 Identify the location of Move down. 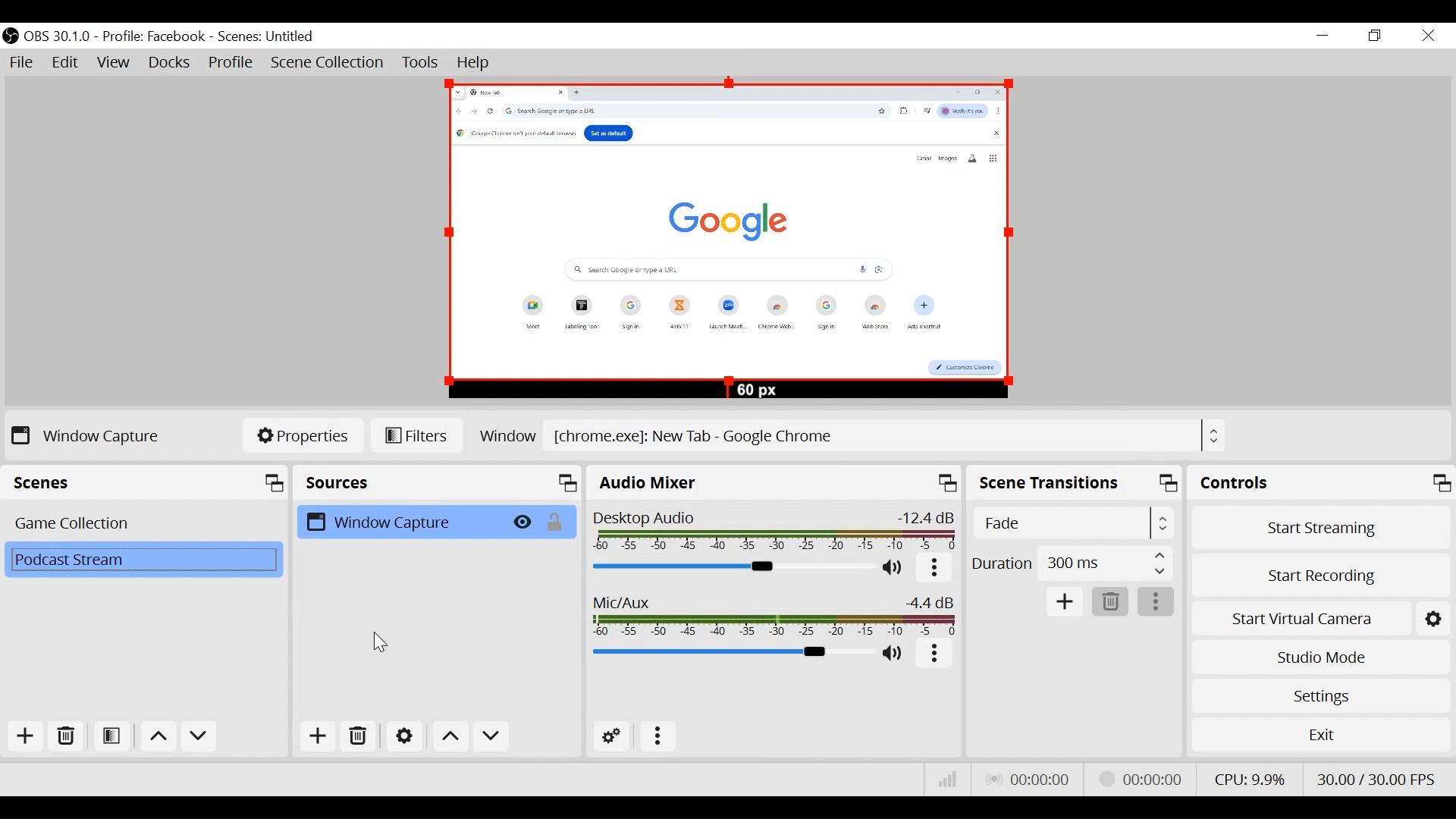
(197, 739).